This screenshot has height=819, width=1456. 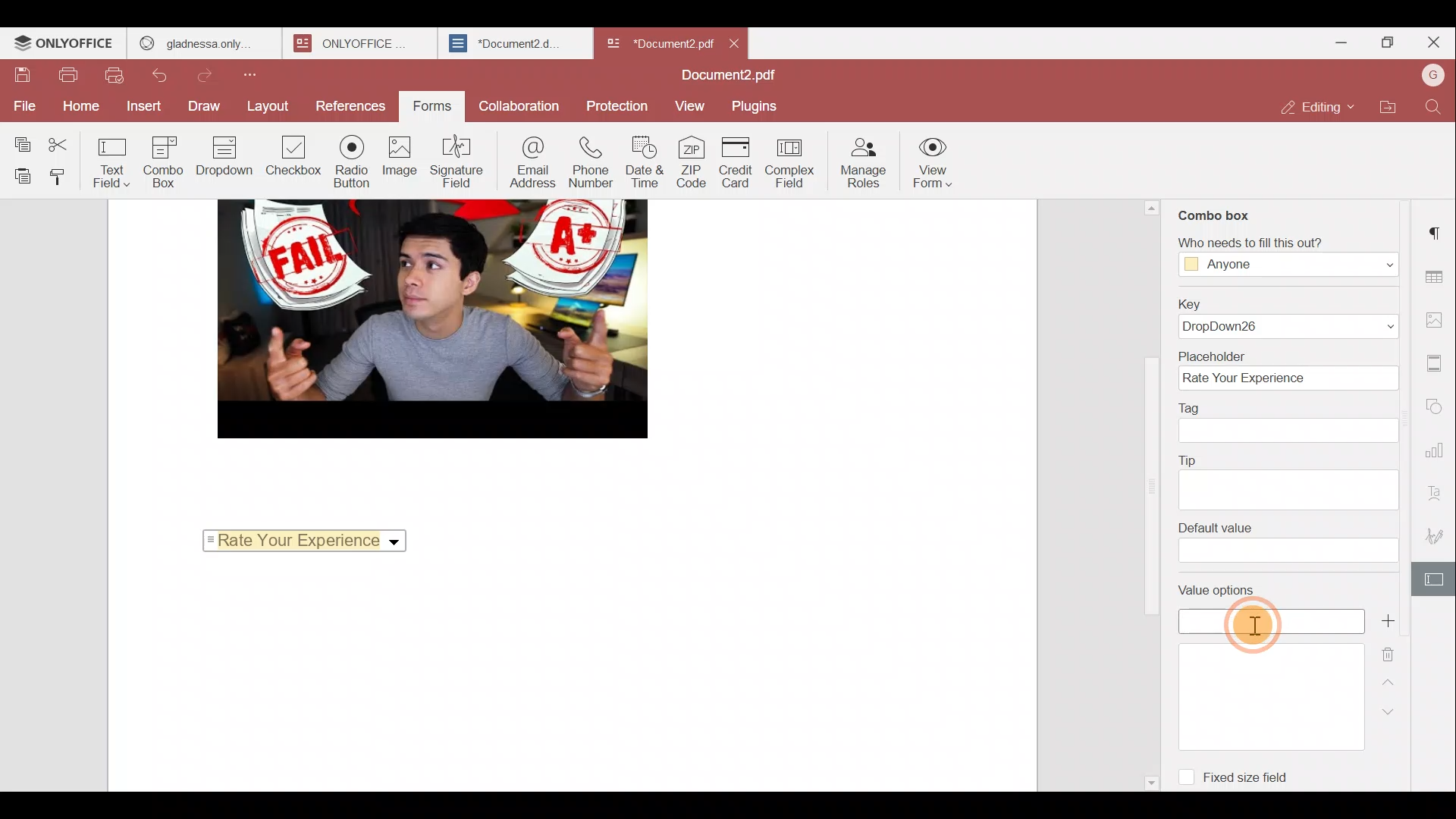 I want to click on Shapes settings, so click(x=1439, y=403).